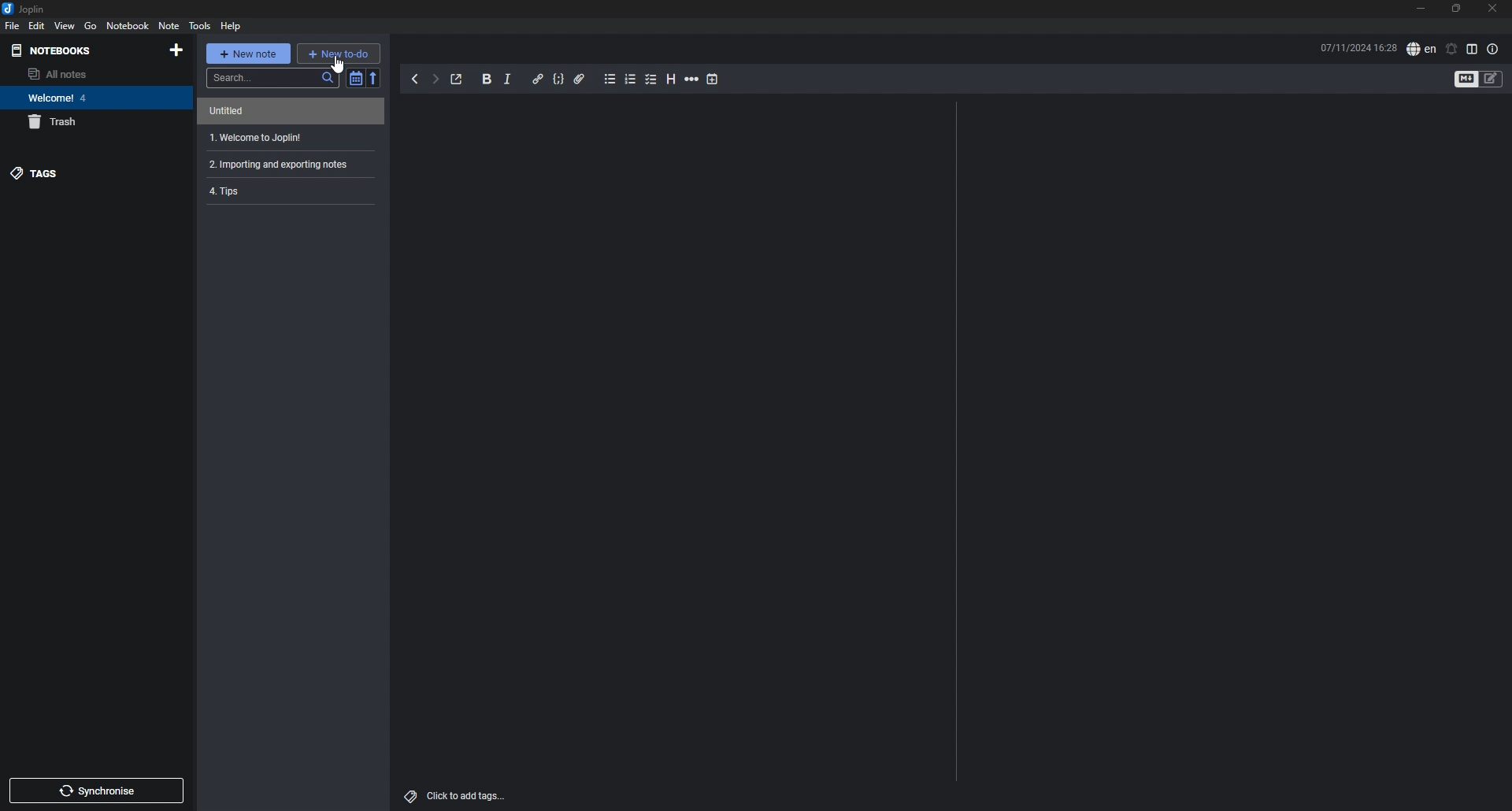 Image resolution: width=1512 pixels, height=811 pixels. Describe the element at coordinates (374, 78) in the screenshot. I see `reverse sort order` at that location.